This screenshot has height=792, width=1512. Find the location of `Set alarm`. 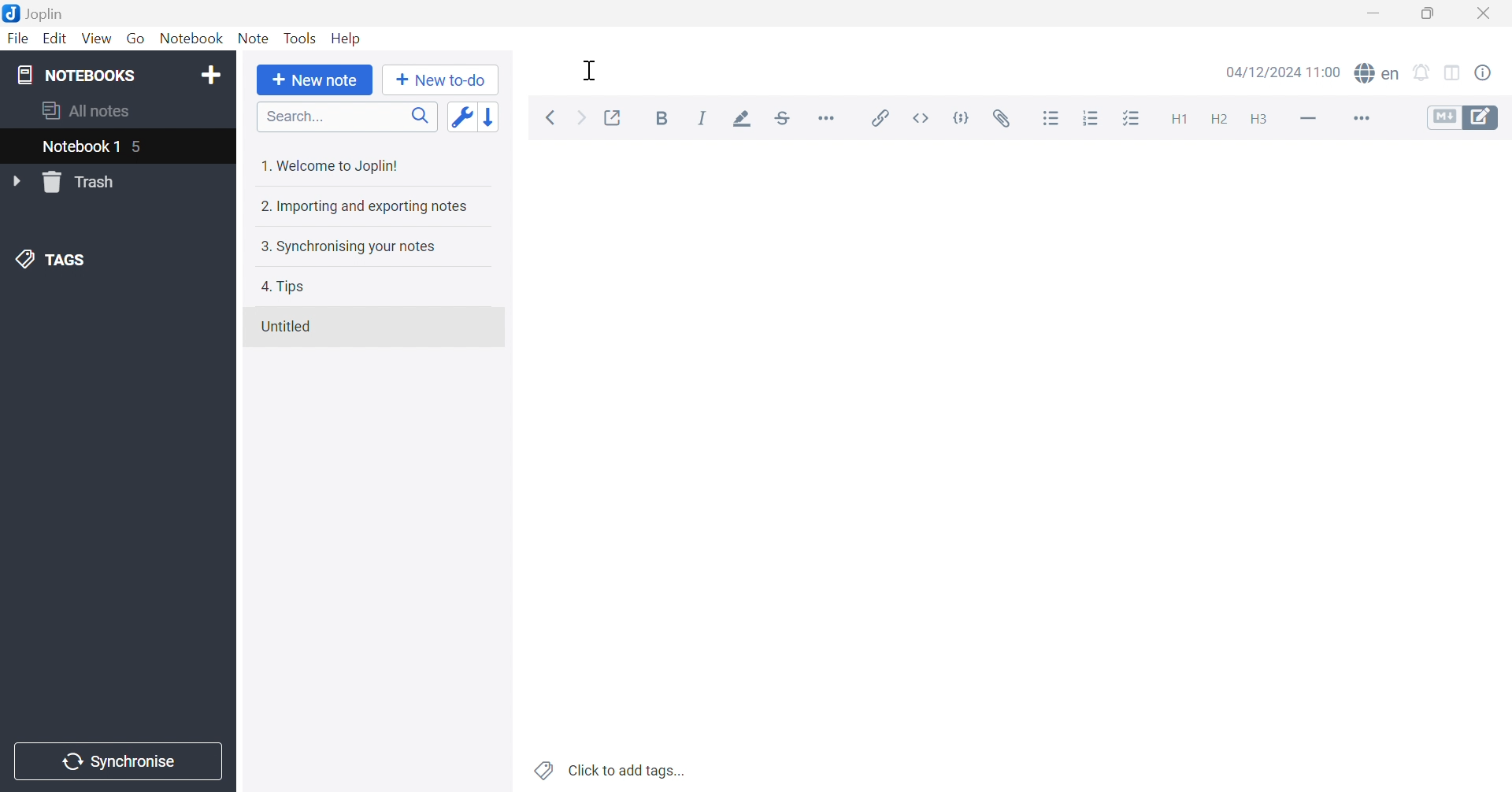

Set alarm is located at coordinates (1423, 72).